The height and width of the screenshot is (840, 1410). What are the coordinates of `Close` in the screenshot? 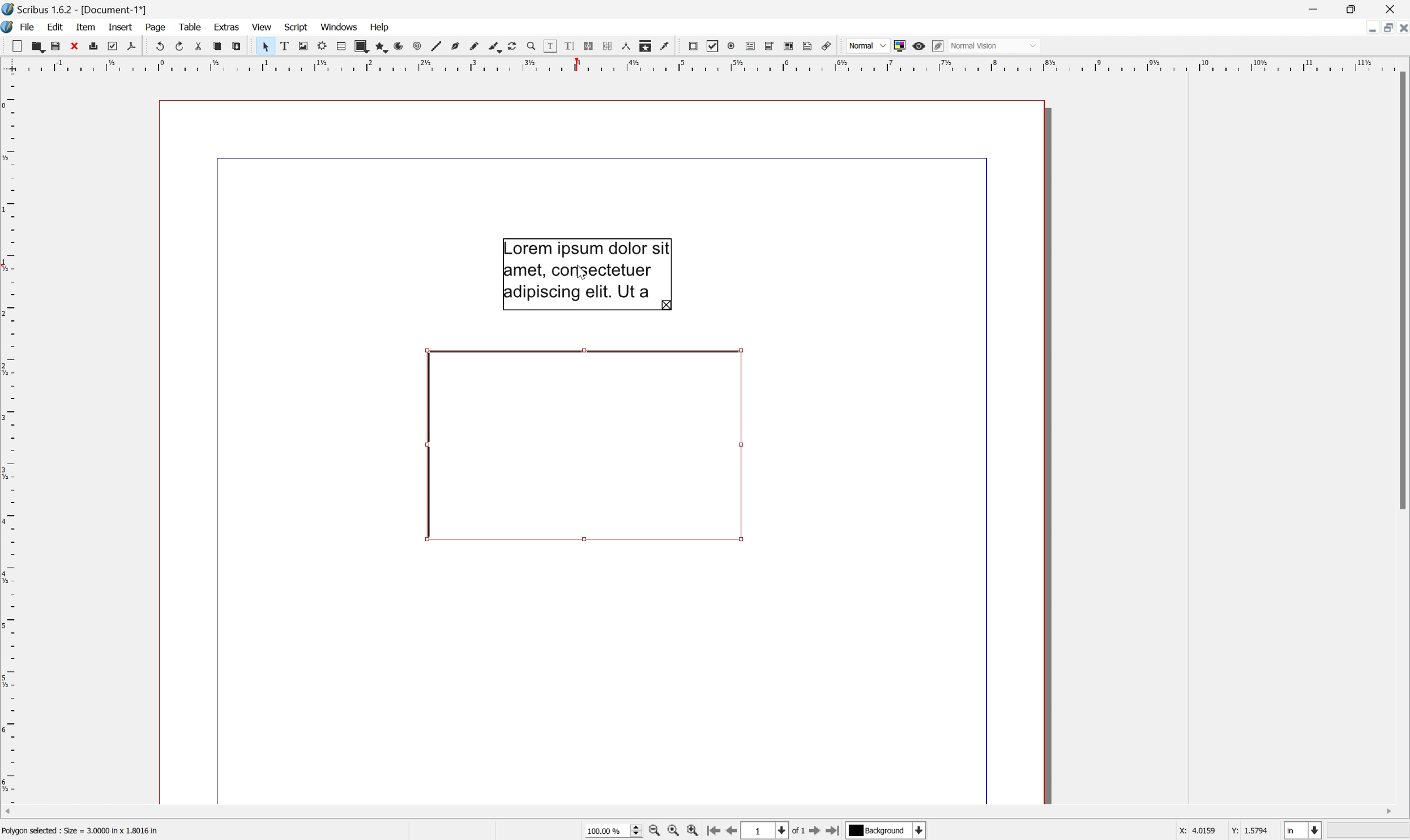 It's located at (1392, 8).